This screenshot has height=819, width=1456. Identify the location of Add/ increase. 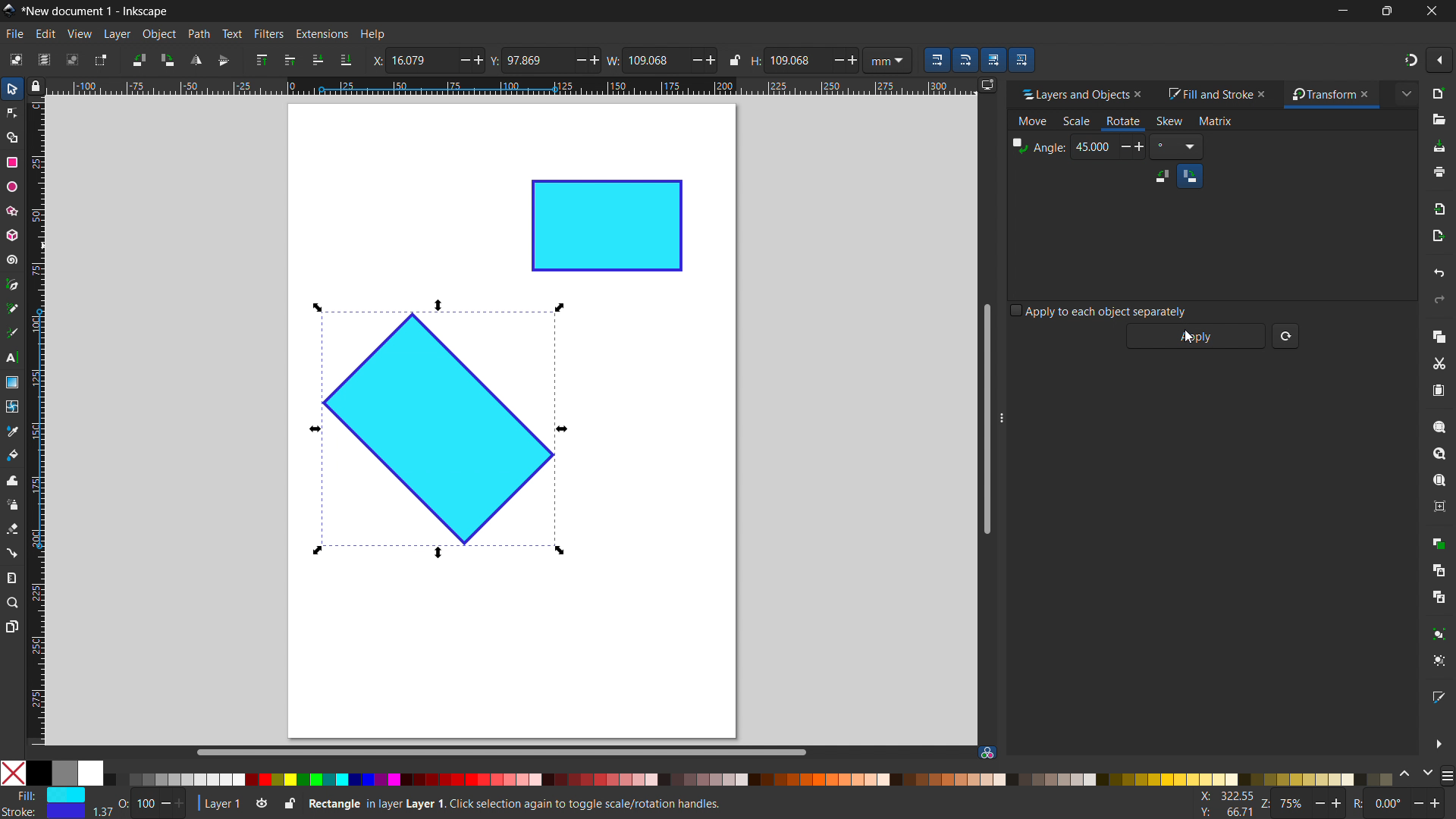
(597, 60).